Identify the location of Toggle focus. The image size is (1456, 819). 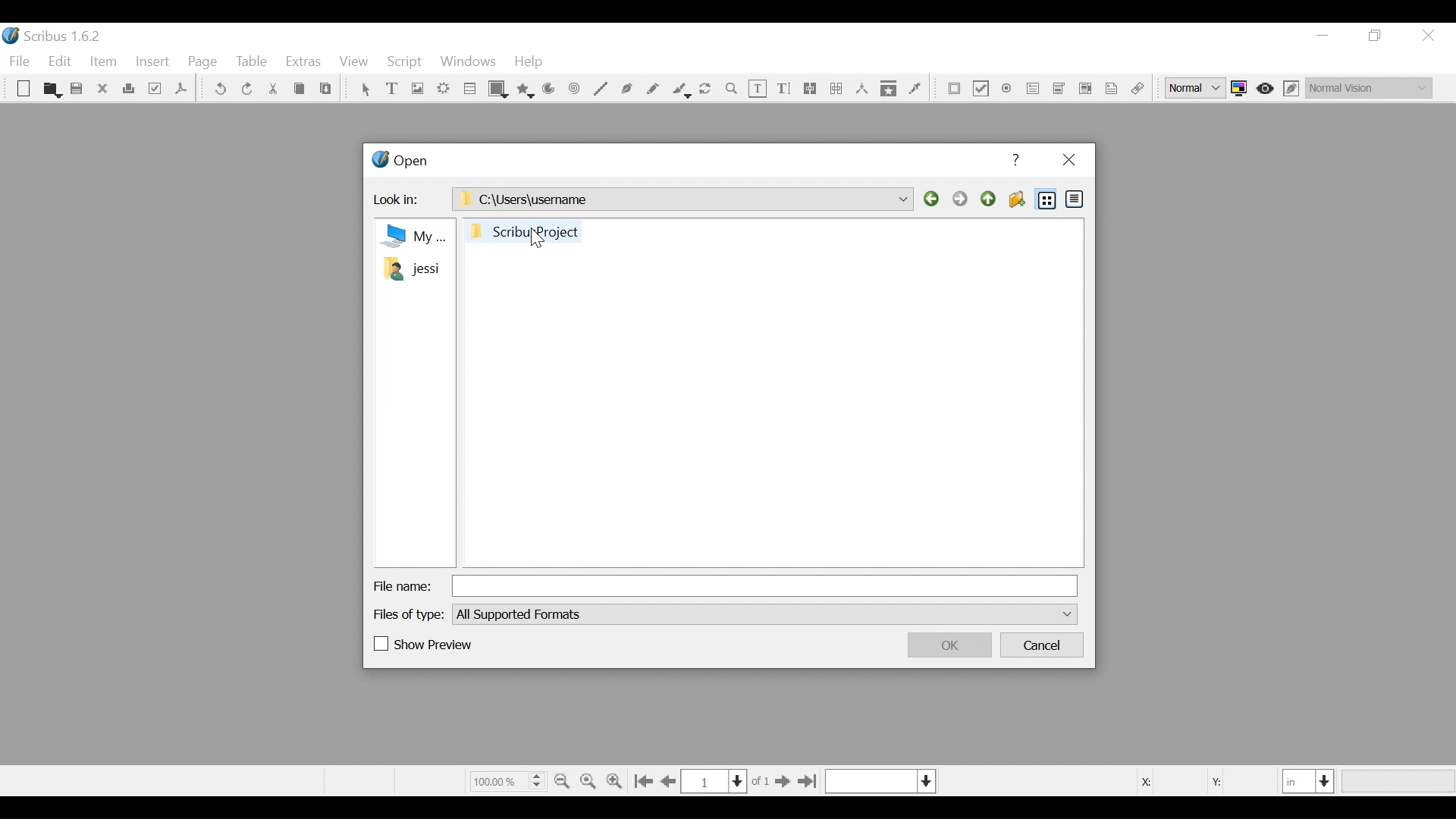
(1266, 88).